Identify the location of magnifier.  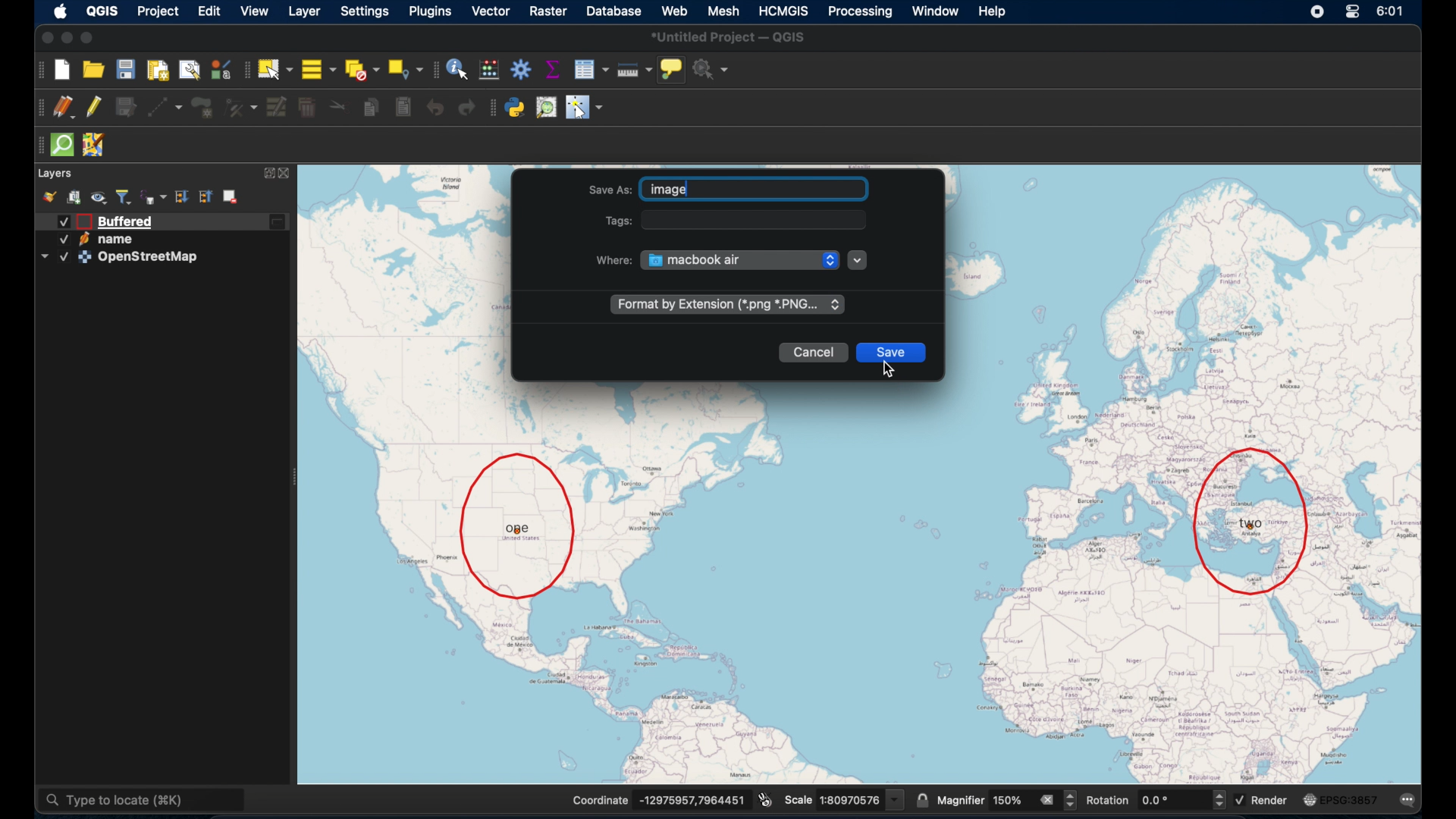
(962, 800).